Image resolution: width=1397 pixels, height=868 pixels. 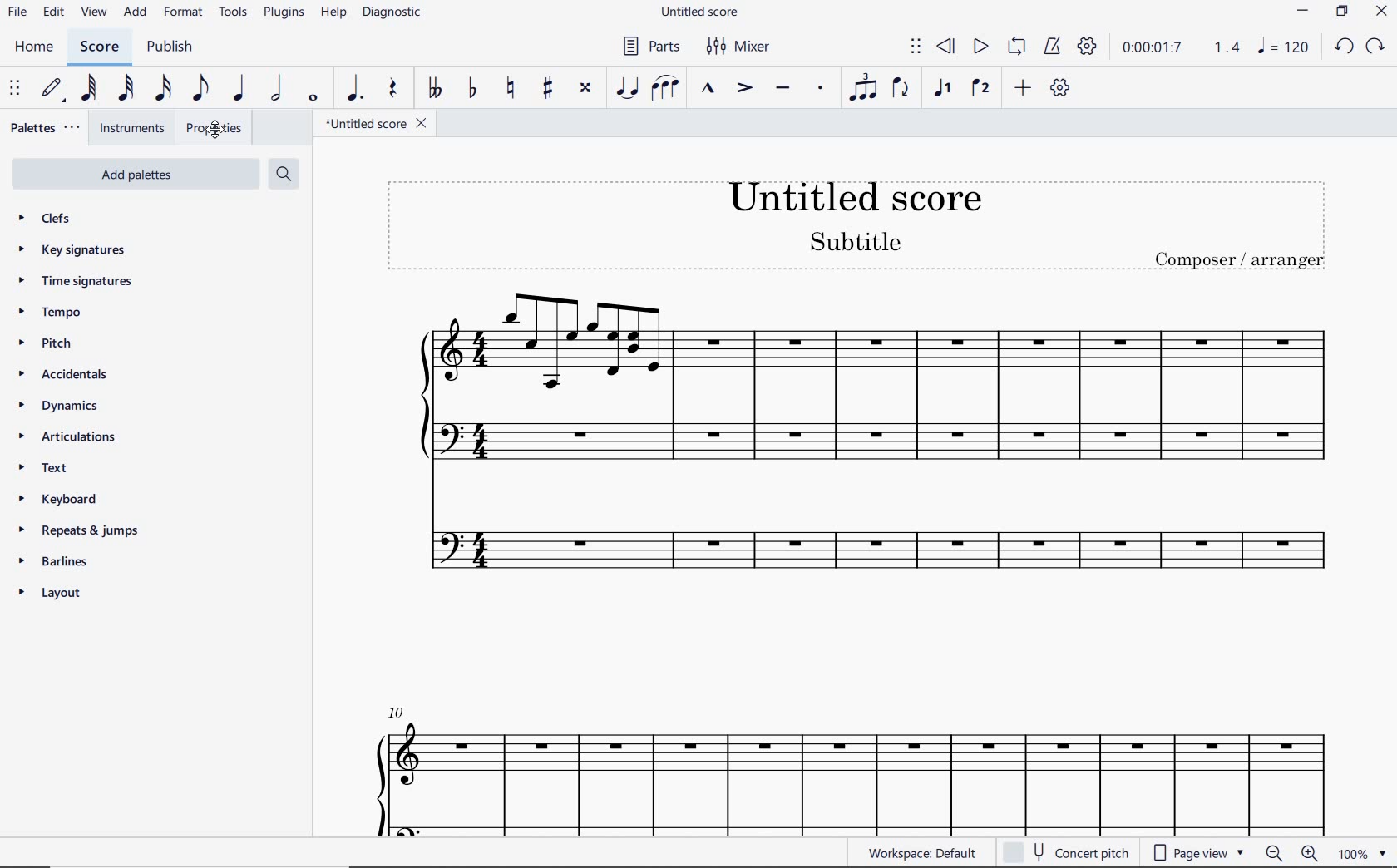 What do you see at coordinates (821, 91) in the screenshot?
I see `STACCATO` at bounding box center [821, 91].